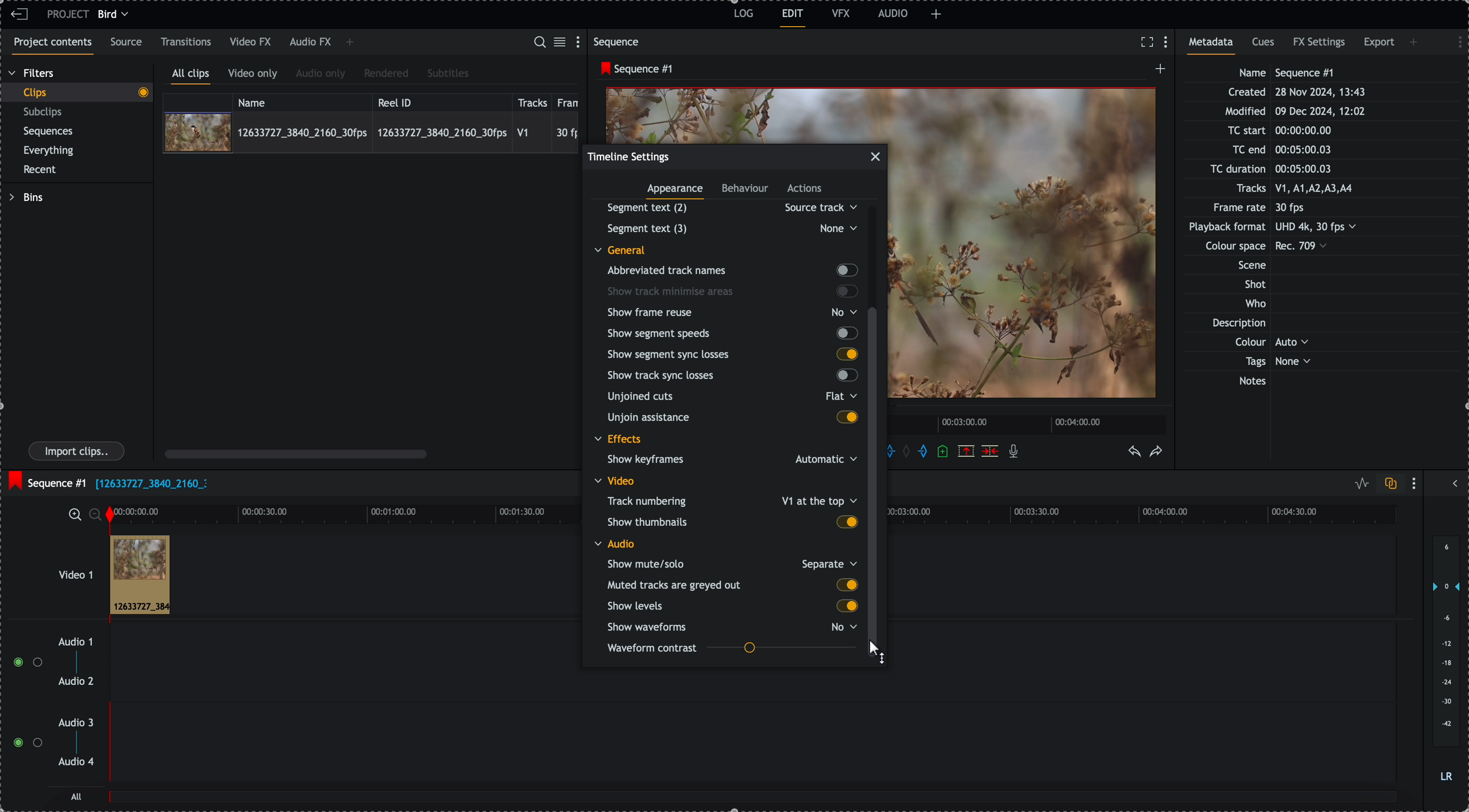 The width and height of the screenshot is (1469, 812). I want to click on metadata, so click(1215, 46).